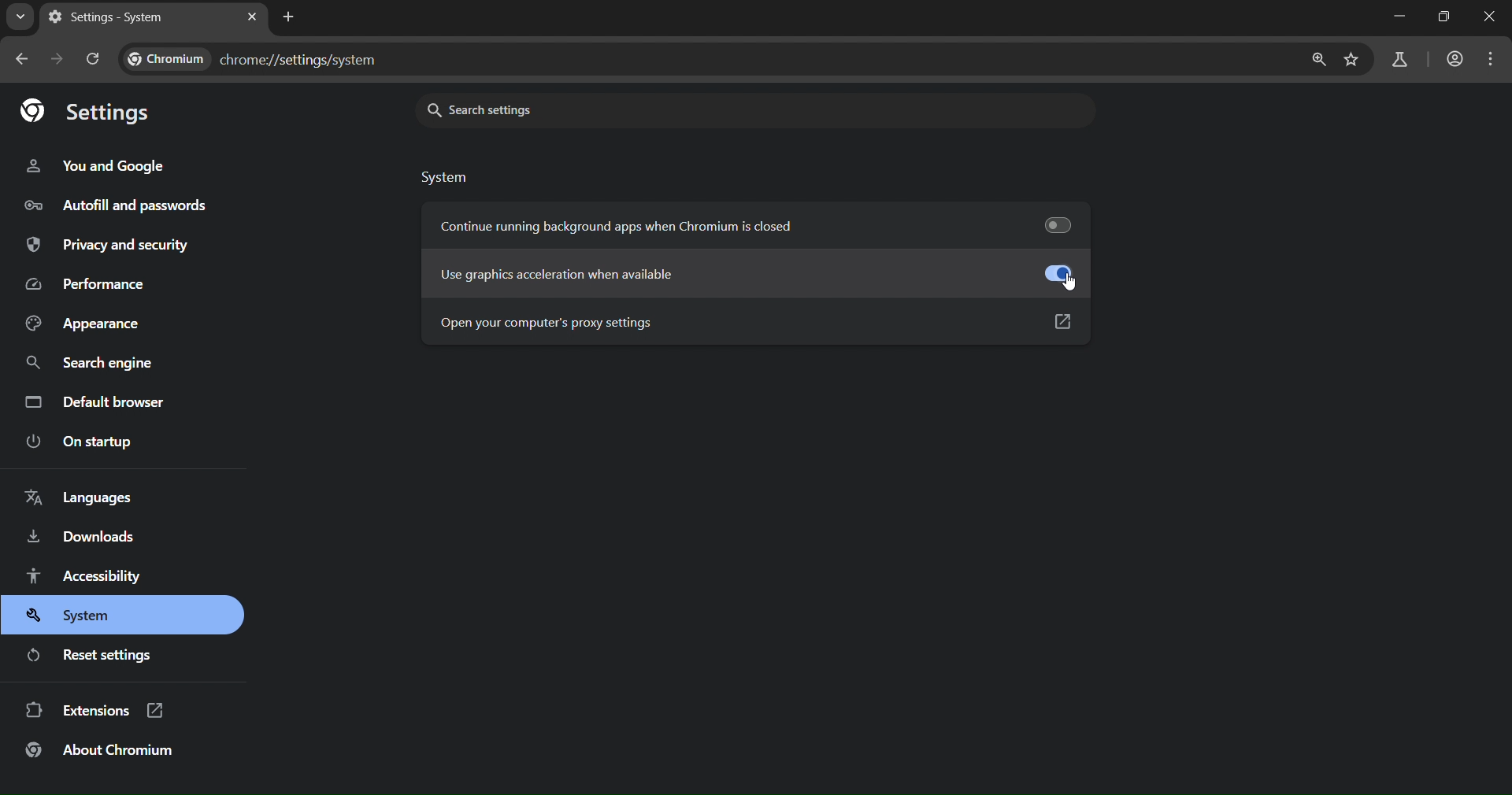 Image resolution: width=1512 pixels, height=795 pixels. What do you see at coordinates (114, 240) in the screenshot?
I see `privacy and security` at bounding box center [114, 240].